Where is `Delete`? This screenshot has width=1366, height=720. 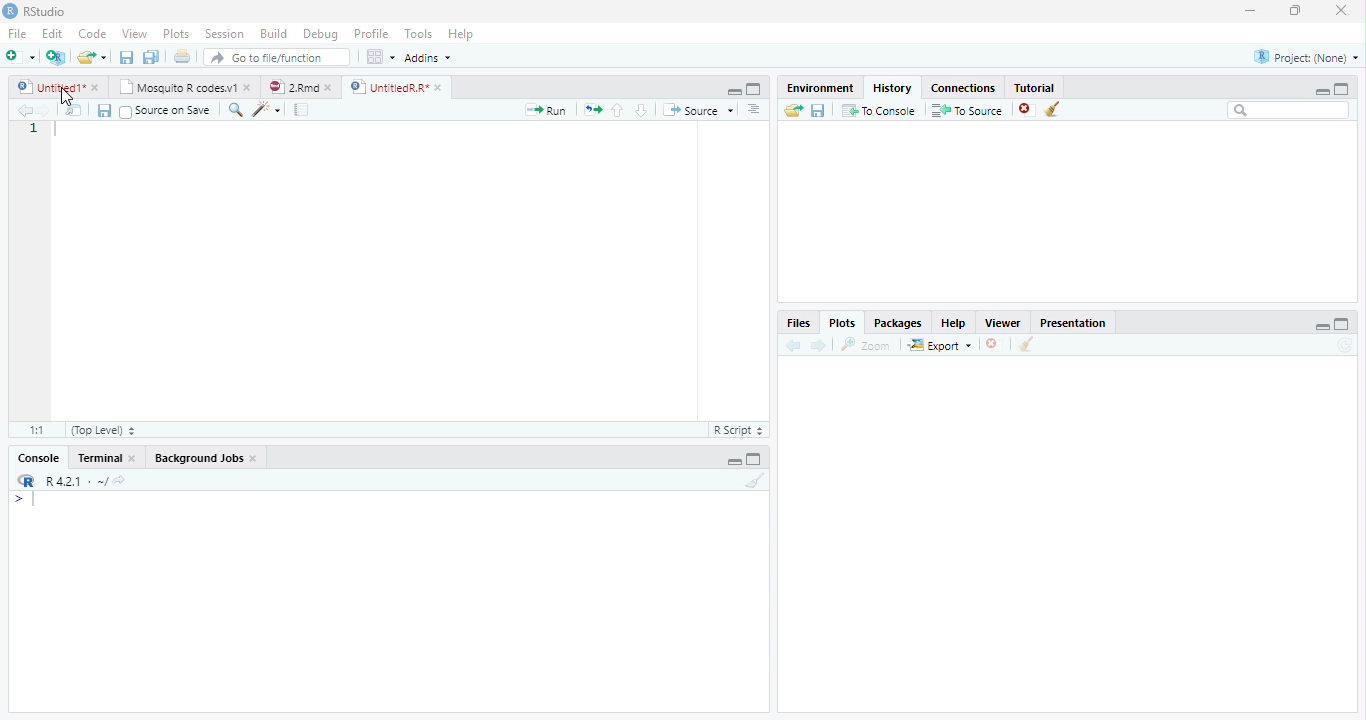
Delete is located at coordinates (992, 344).